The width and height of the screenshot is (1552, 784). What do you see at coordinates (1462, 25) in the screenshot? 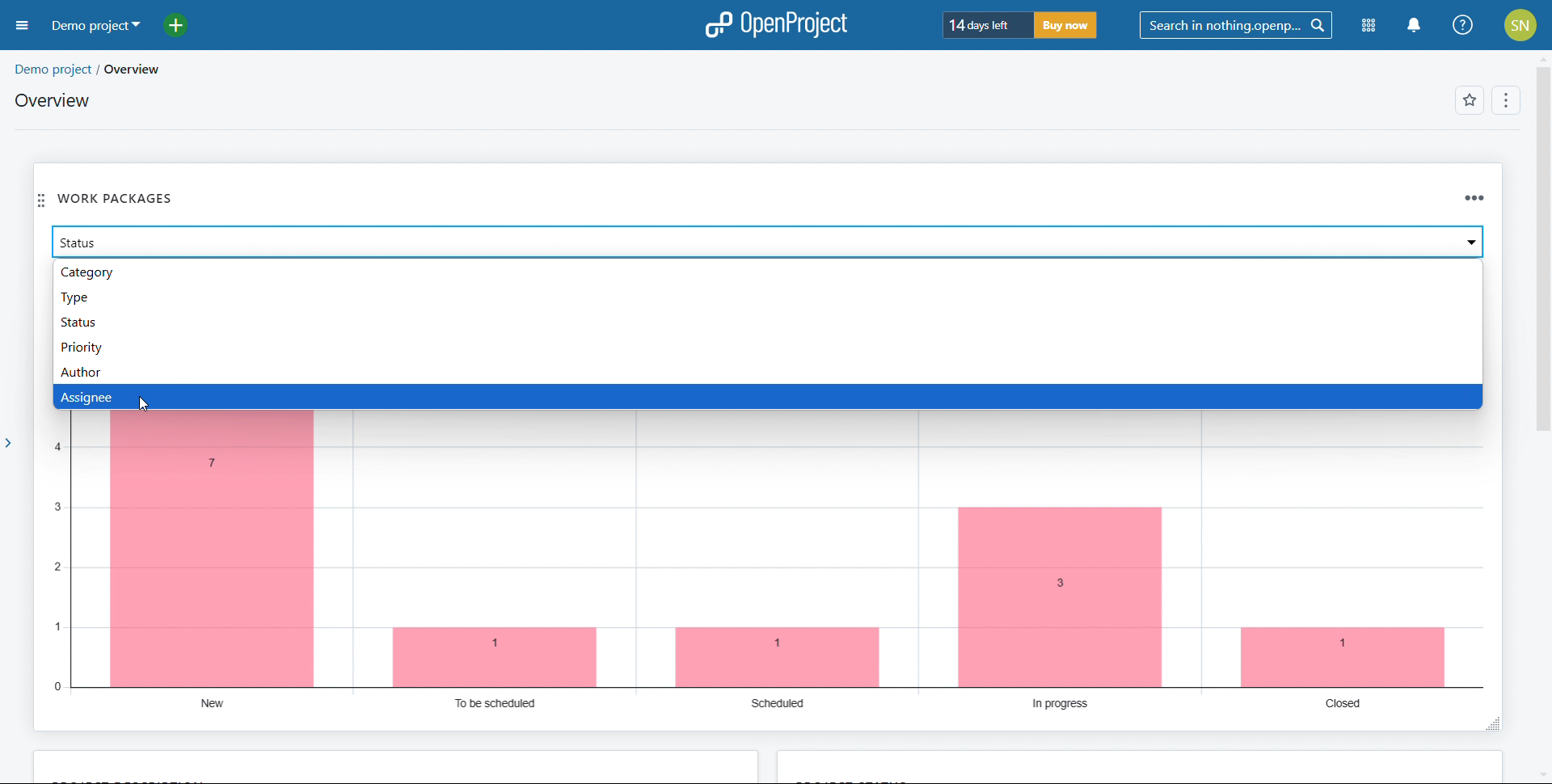
I see `help` at bounding box center [1462, 25].